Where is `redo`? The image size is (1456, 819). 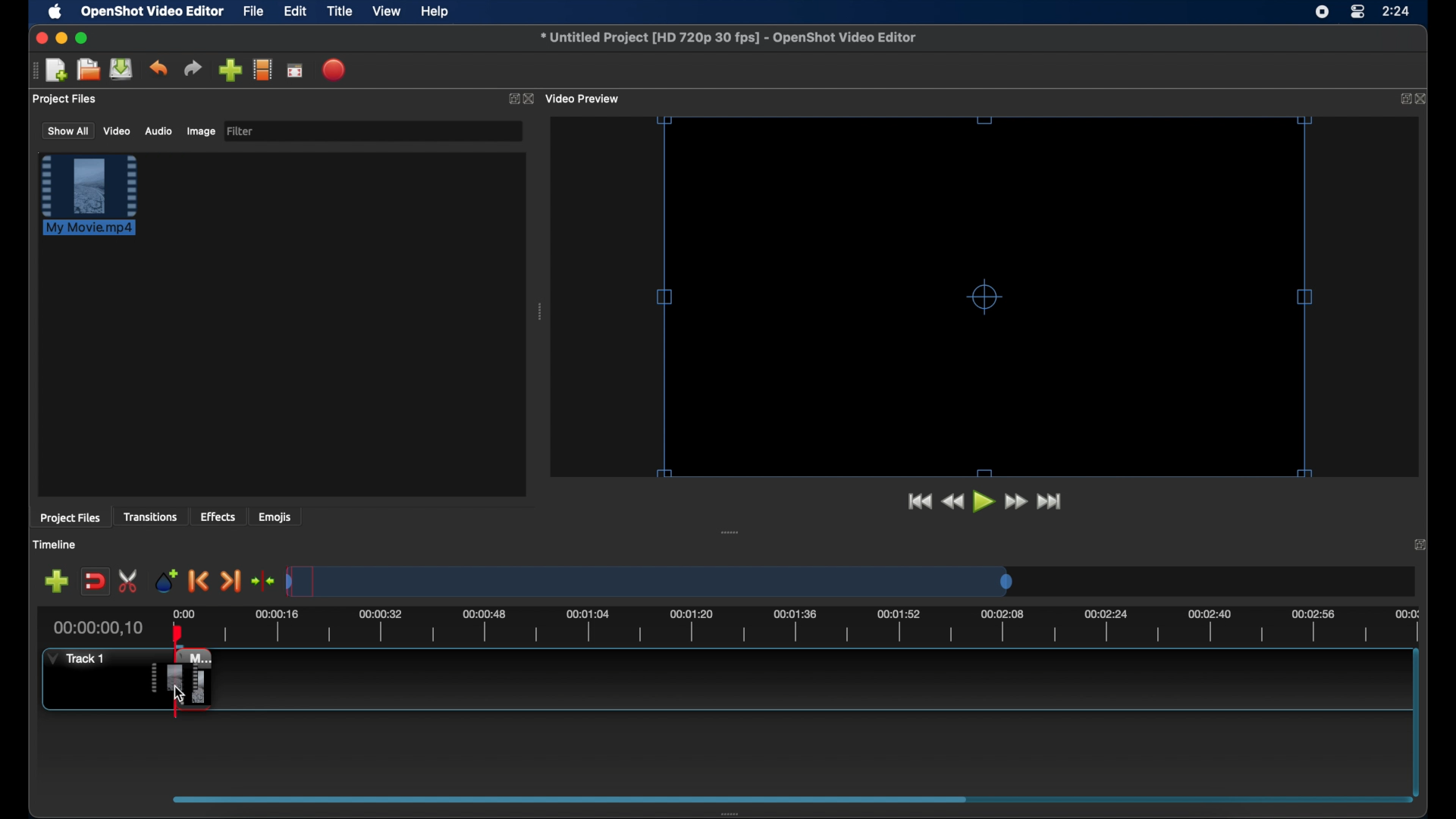 redo is located at coordinates (193, 68).